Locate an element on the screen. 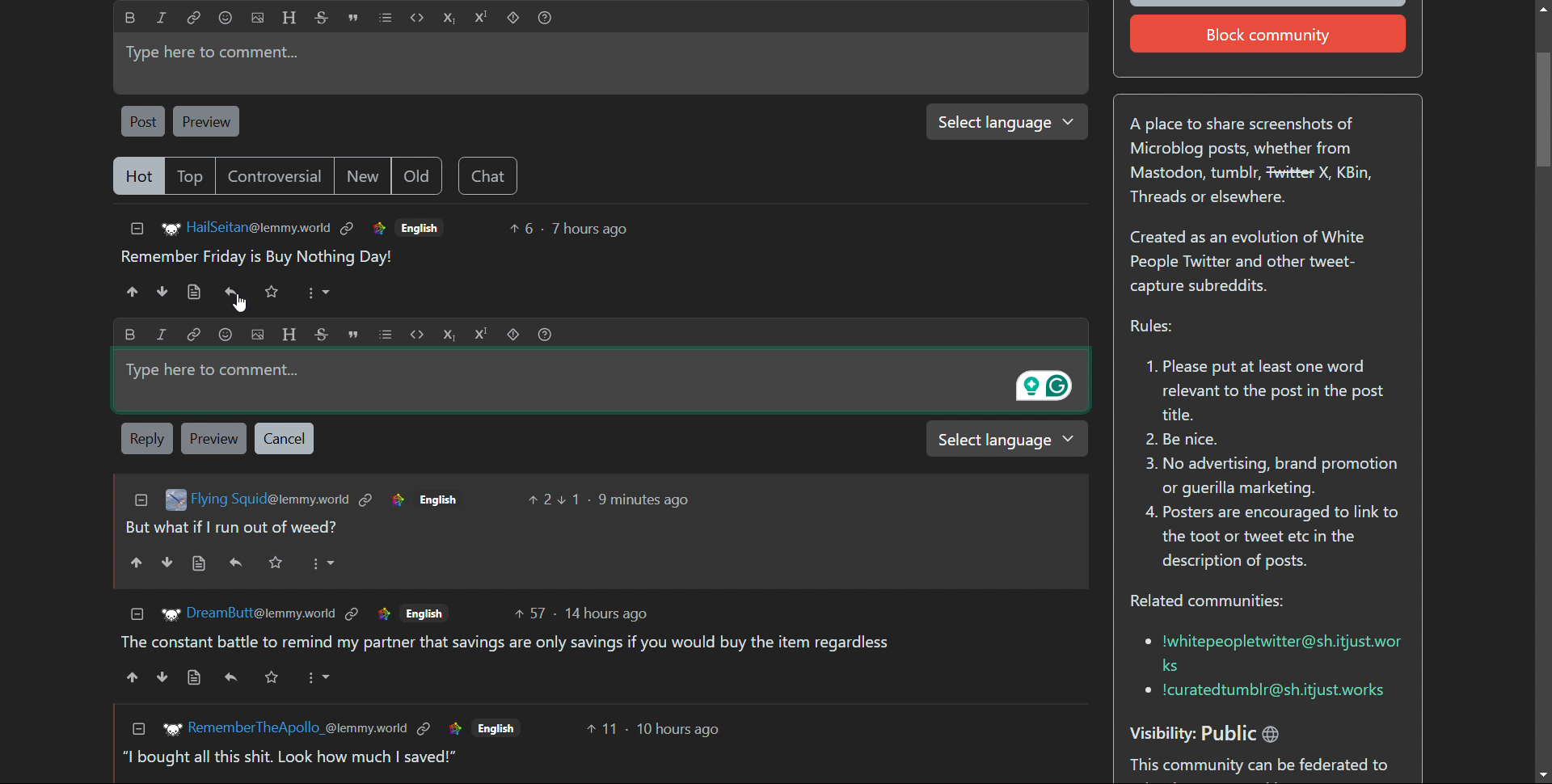  strikethrough is located at coordinates (323, 17).